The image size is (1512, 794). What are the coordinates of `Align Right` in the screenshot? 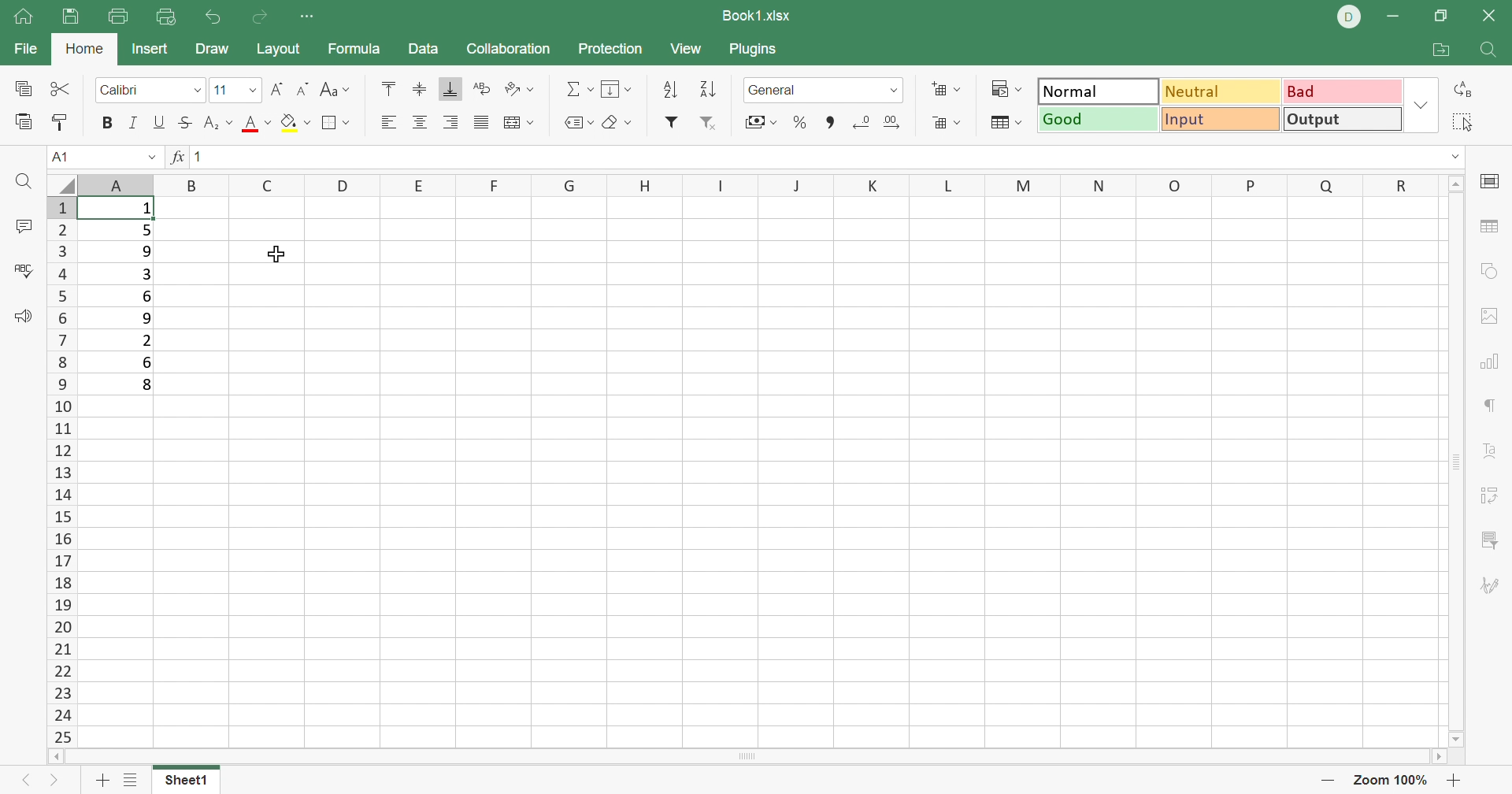 It's located at (451, 123).